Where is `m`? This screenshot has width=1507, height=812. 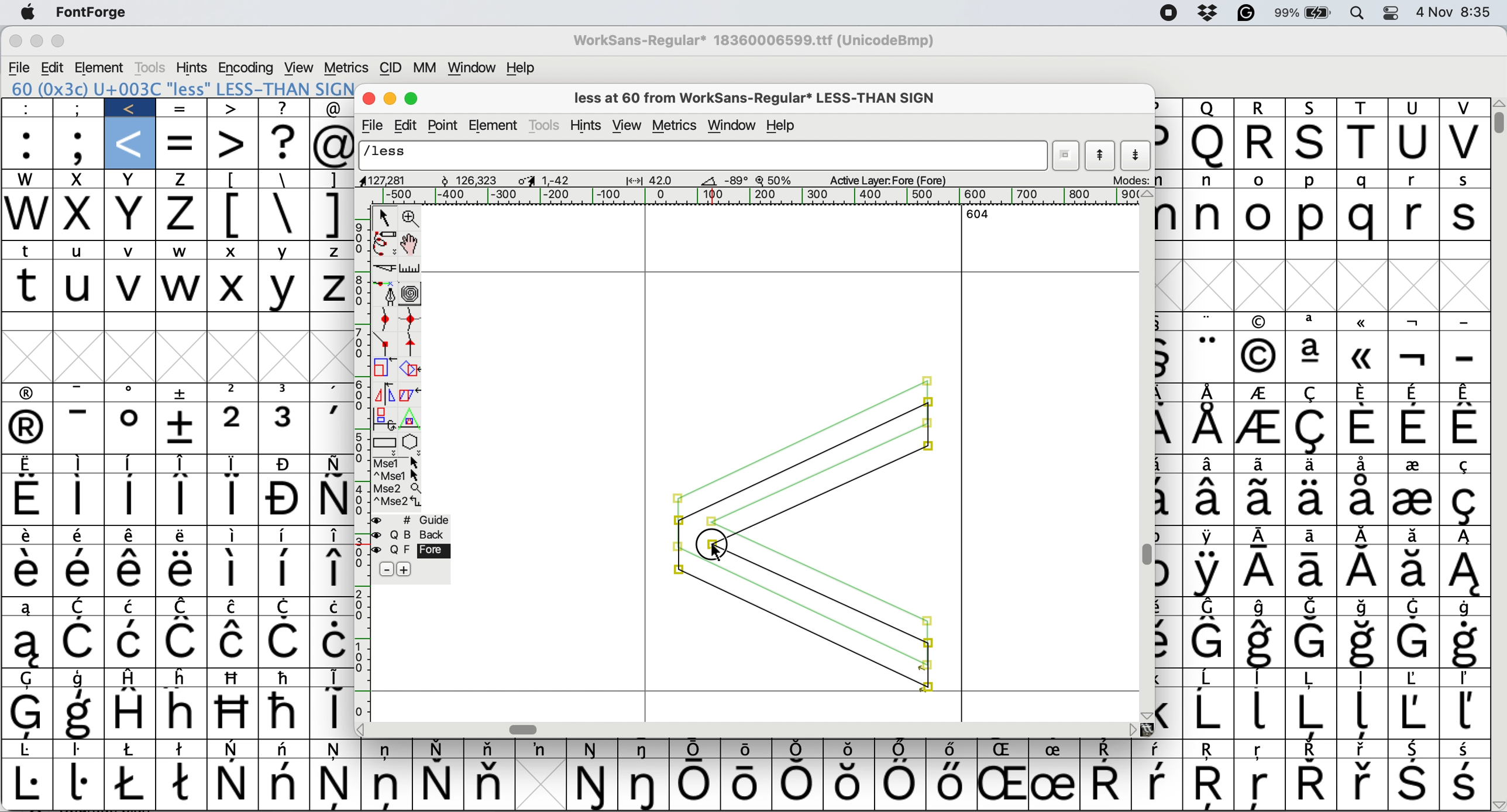 m is located at coordinates (1168, 181).